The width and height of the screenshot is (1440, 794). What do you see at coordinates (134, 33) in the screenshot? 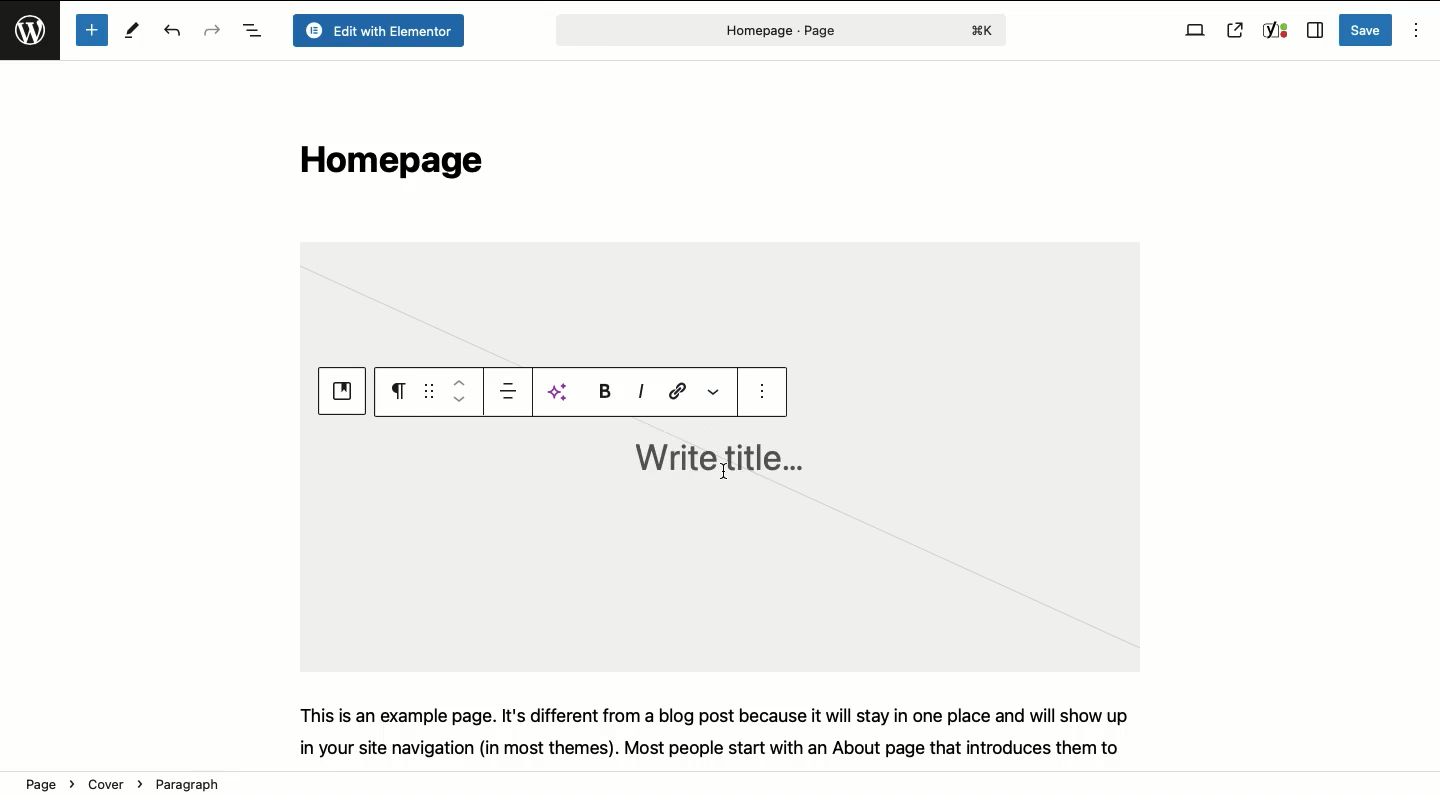
I see `Tools` at bounding box center [134, 33].